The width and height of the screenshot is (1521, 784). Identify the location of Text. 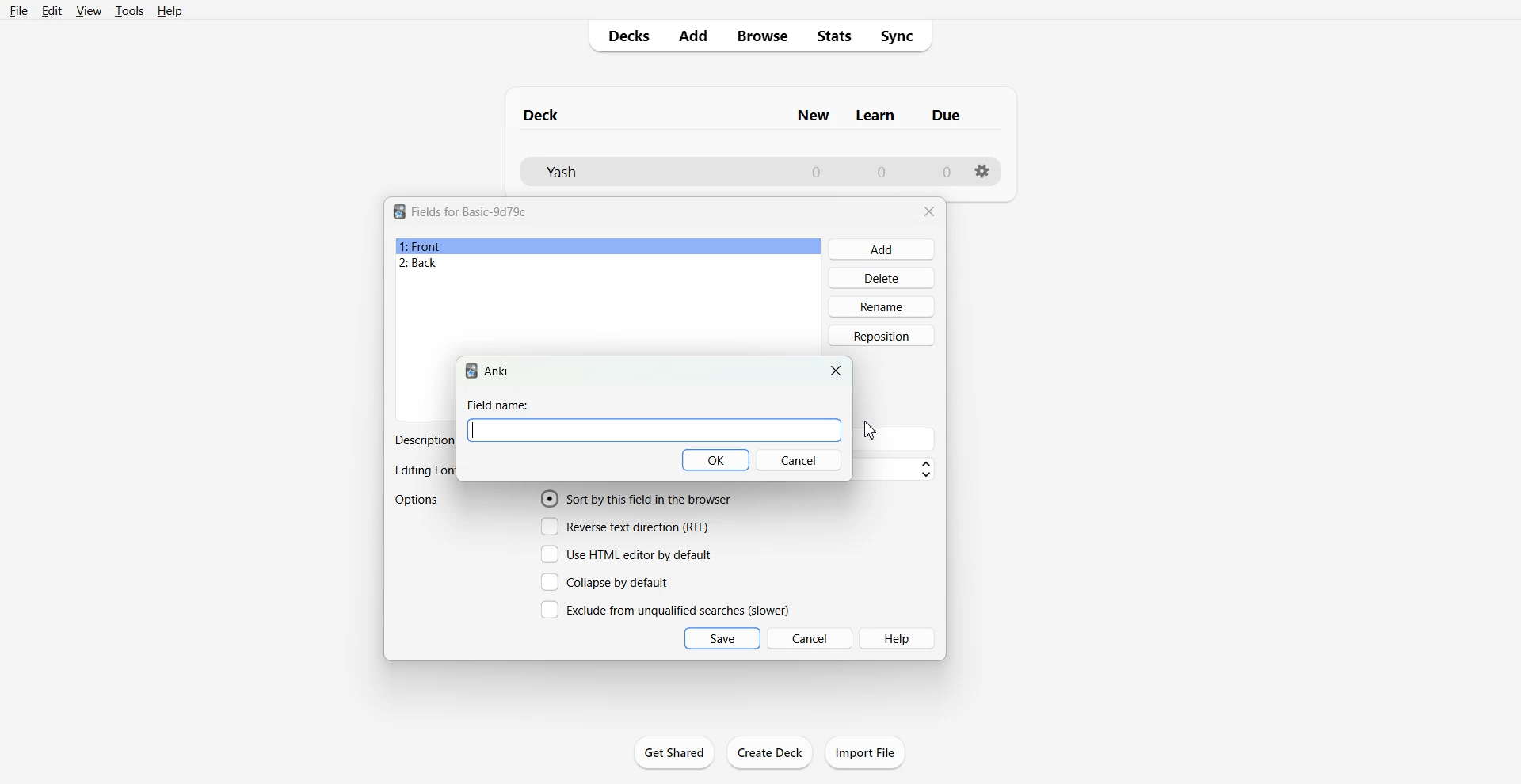
(497, 371).